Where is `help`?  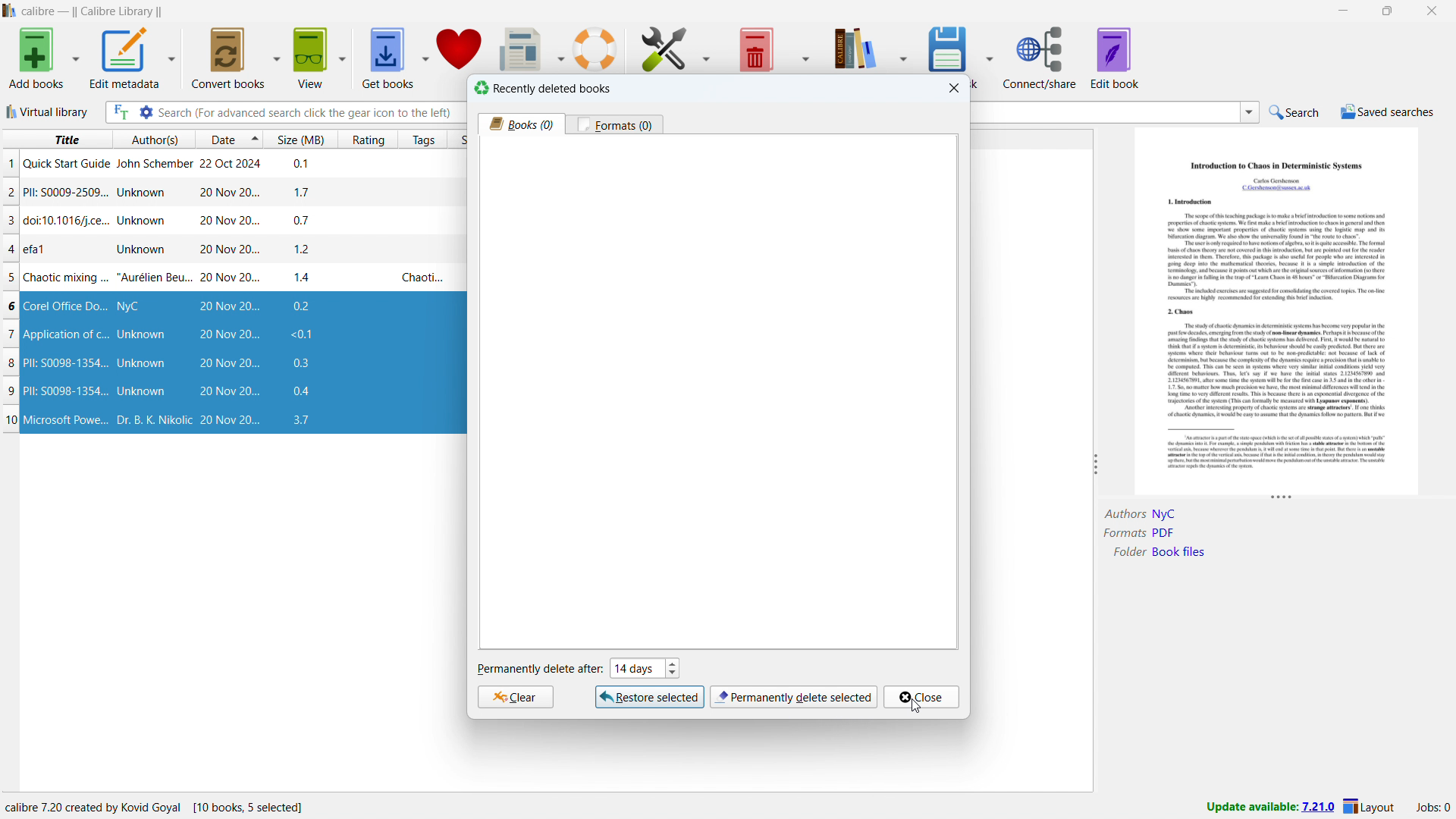
help is located at coordinates (595, 49).